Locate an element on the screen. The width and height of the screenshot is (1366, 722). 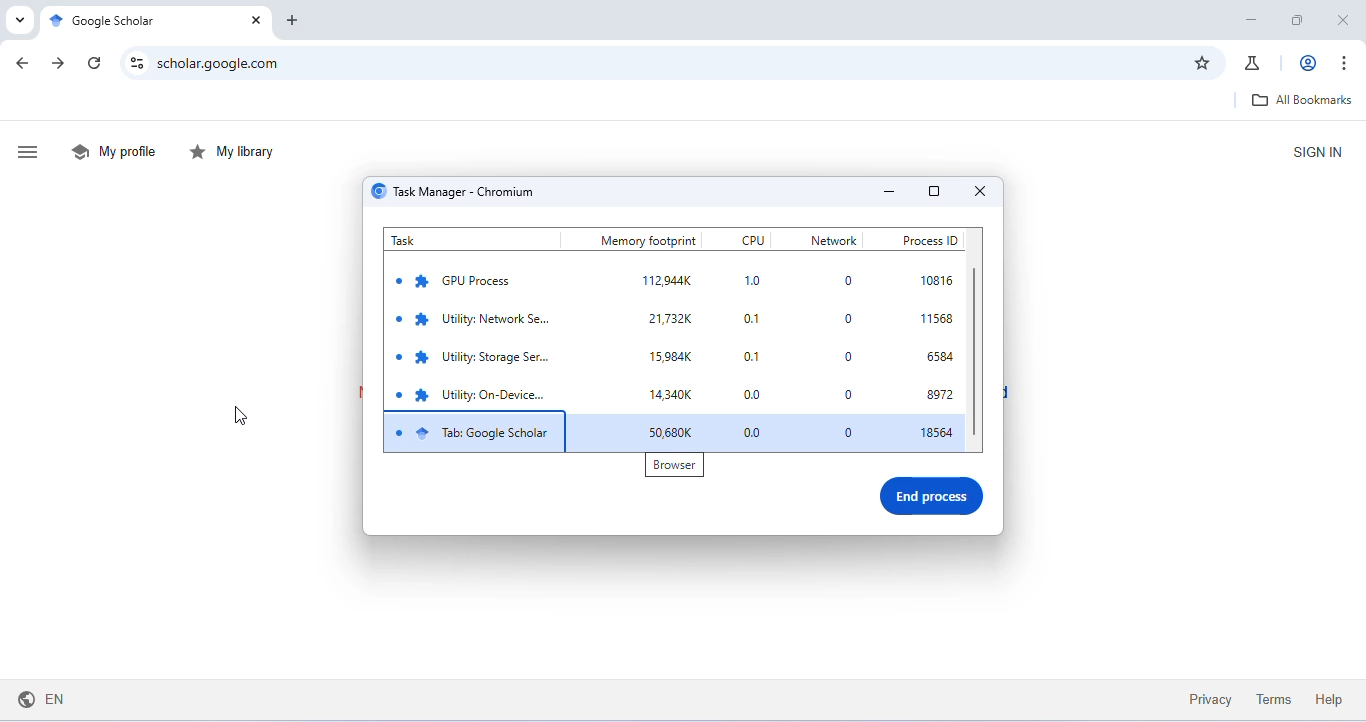
add new tab is located at coordinates (294, 21).